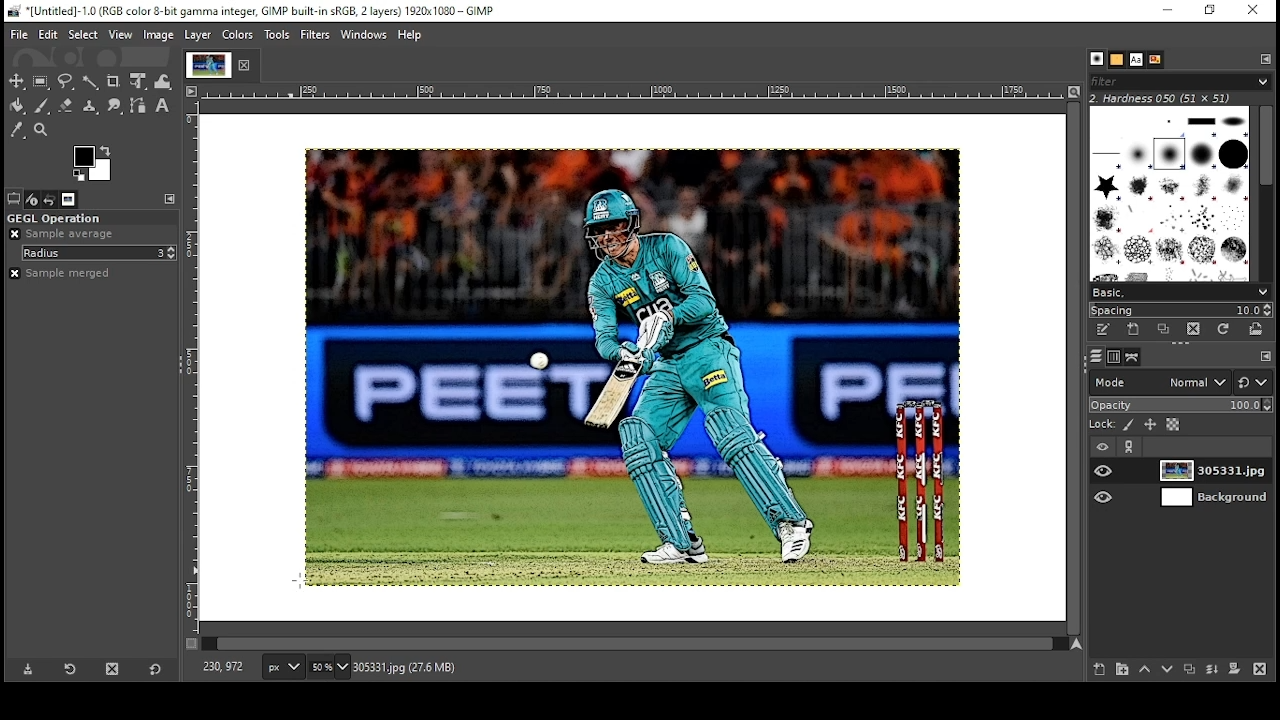  I want to click on brushes, so click(1098, 60).